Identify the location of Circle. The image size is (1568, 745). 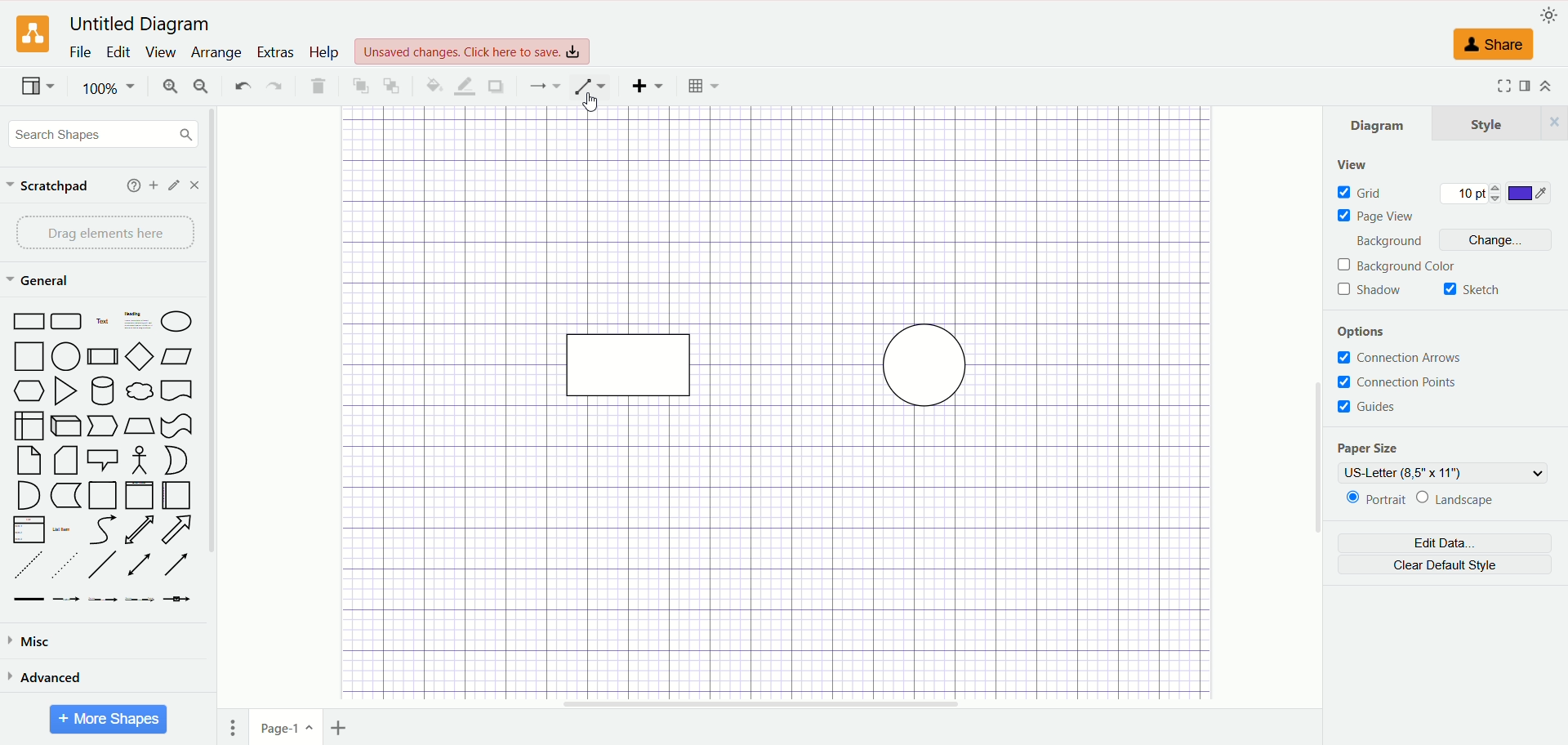
(69, 356).